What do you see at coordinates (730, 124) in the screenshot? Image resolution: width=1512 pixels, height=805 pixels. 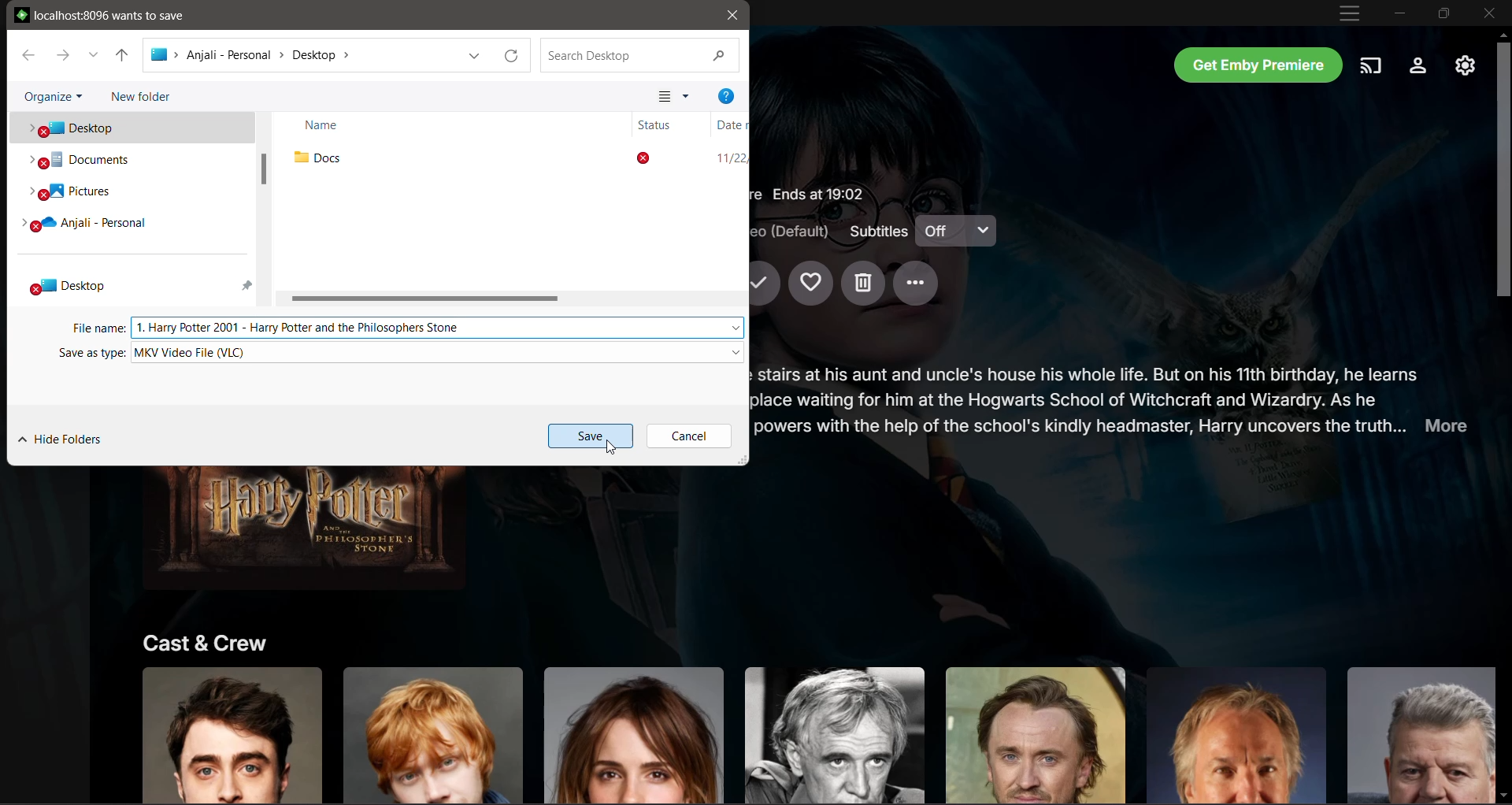 I see `Date column` at bounding box center [730, 124].